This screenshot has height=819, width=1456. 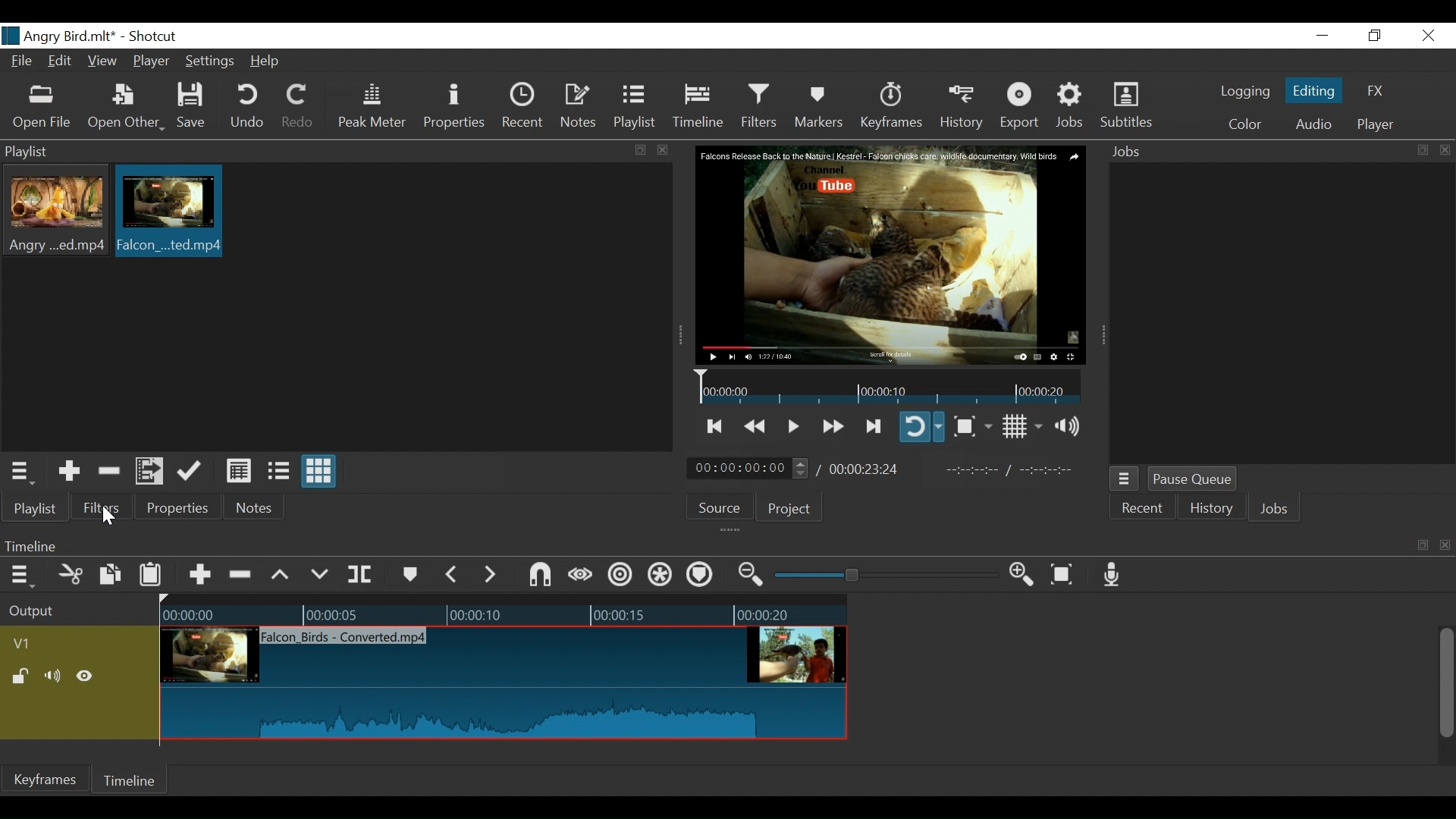 What do you see at coordinates (62, 62) in the screenshot?
I see `Edit` at bounding box center [62, 62].